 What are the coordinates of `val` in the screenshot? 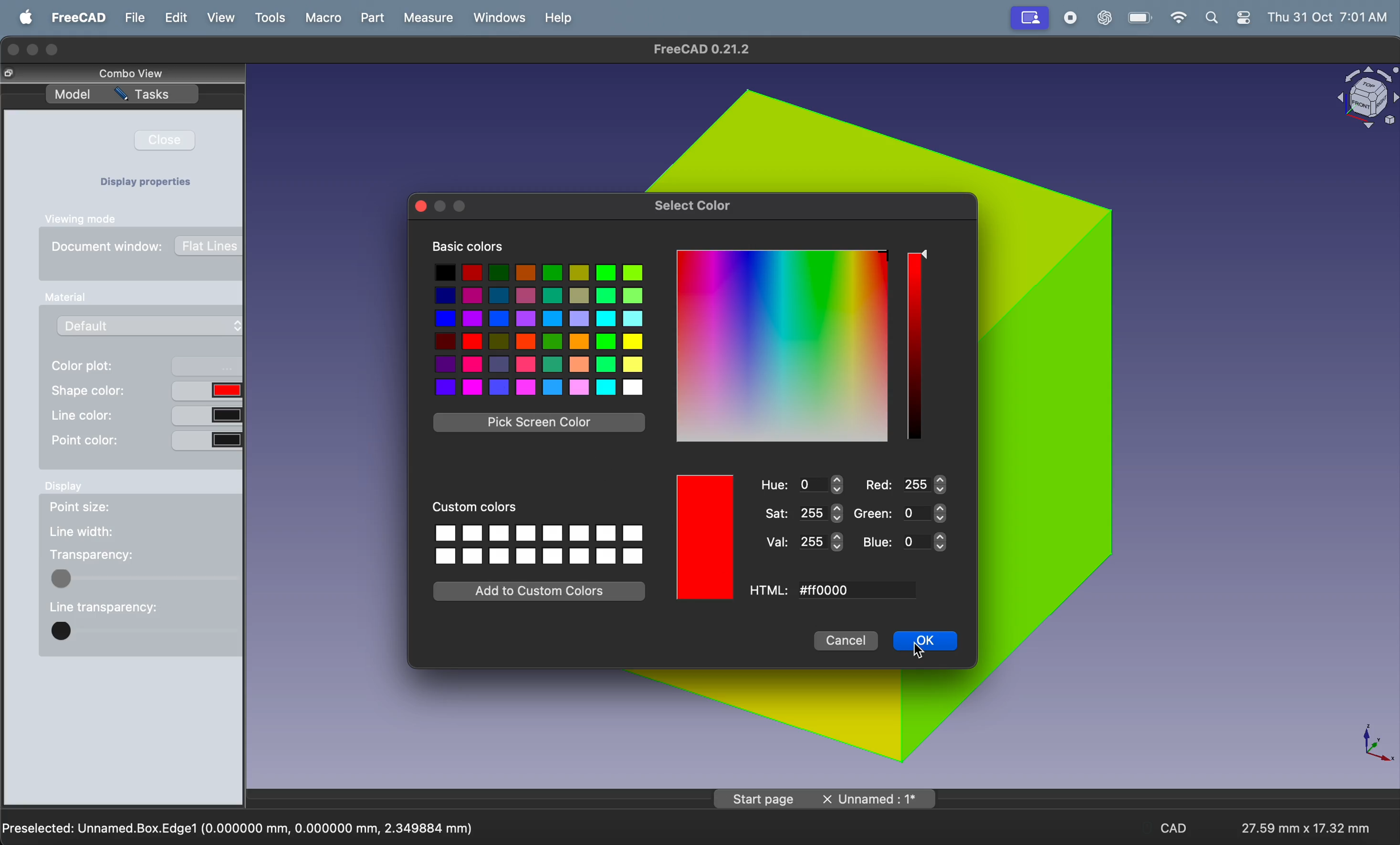 It's located at (802, 543).